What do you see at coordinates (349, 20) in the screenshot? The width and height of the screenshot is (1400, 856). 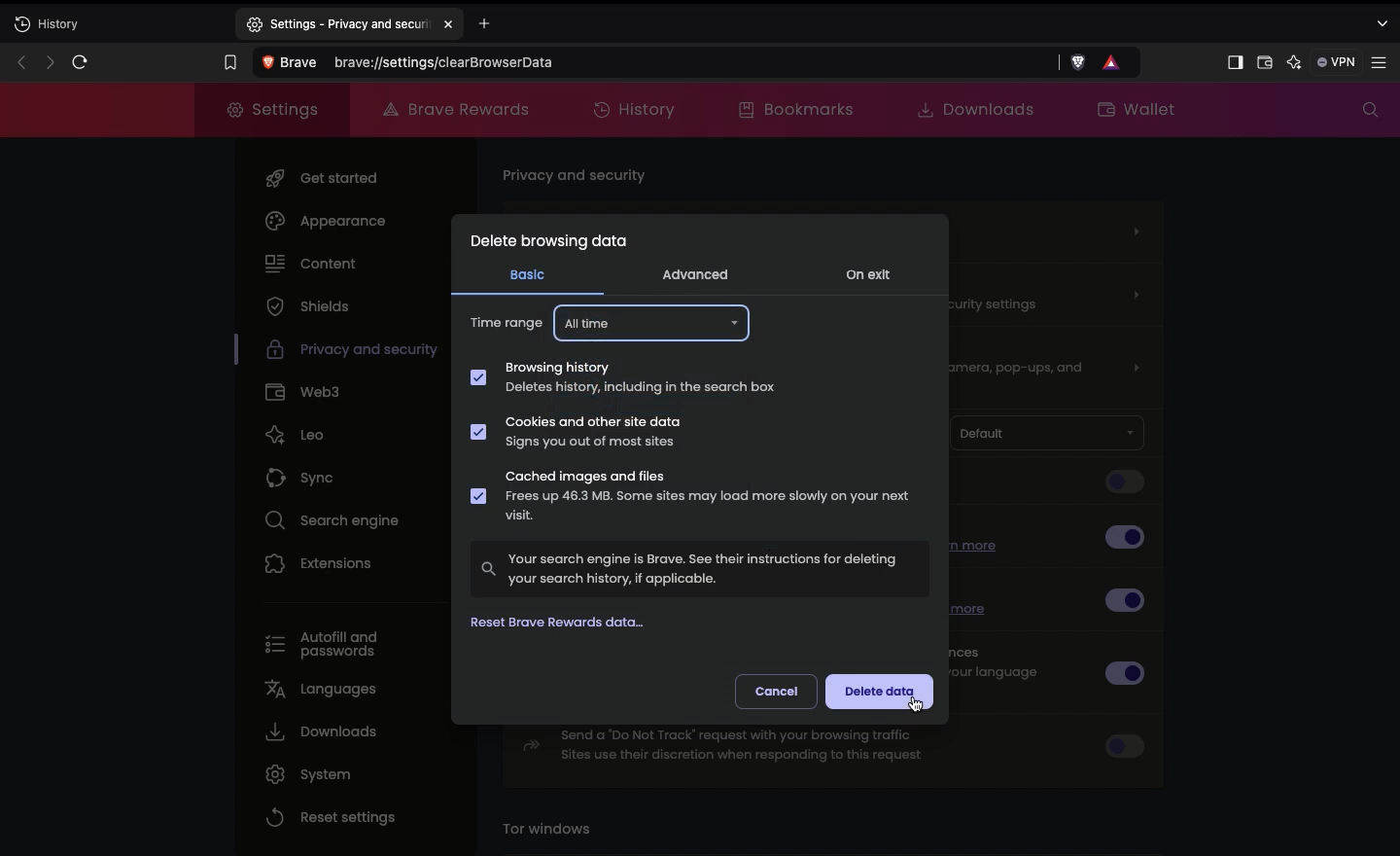 I see `settings-privacy and security` at bounding box center [349, 20].